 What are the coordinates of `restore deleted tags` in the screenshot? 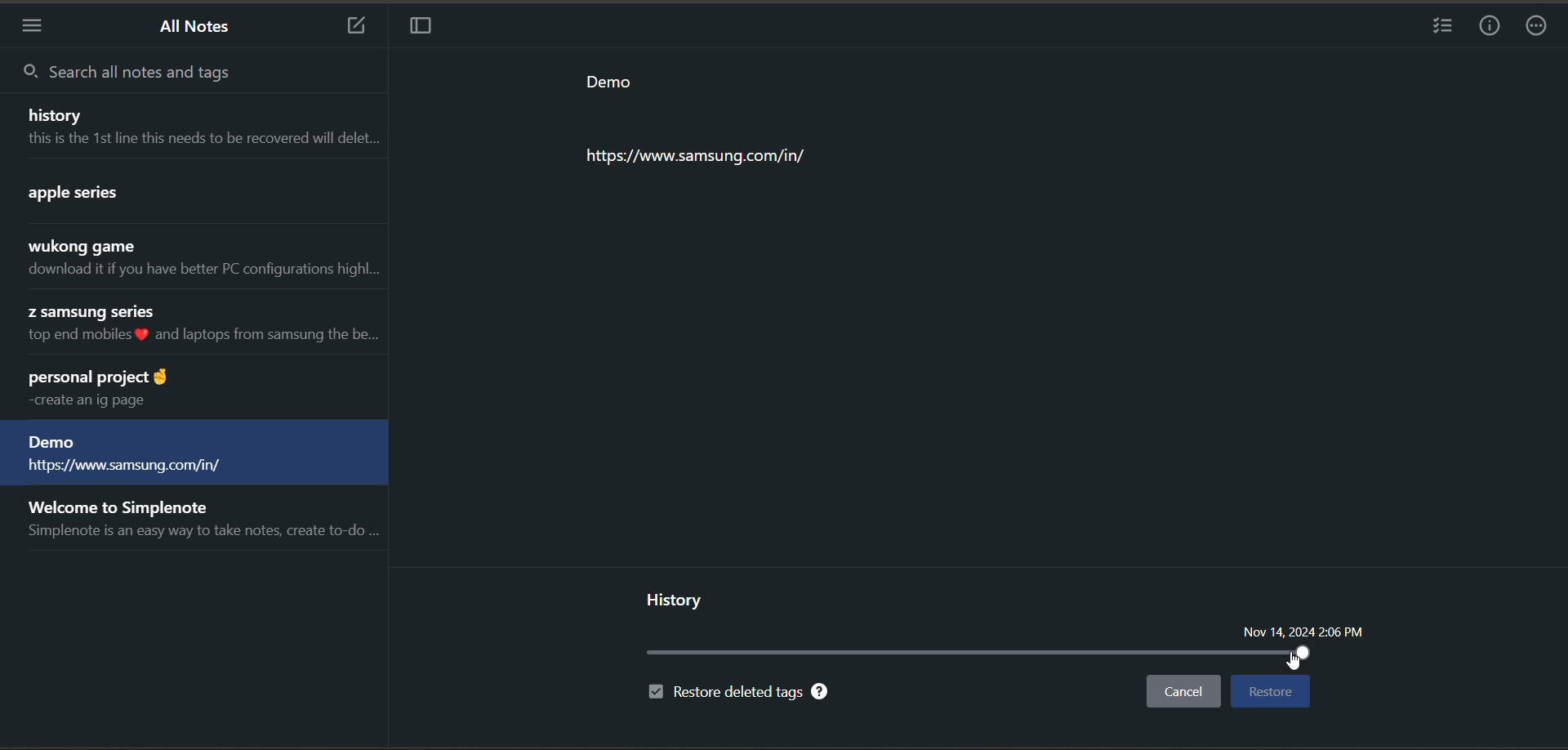 It's located at (739, 694).